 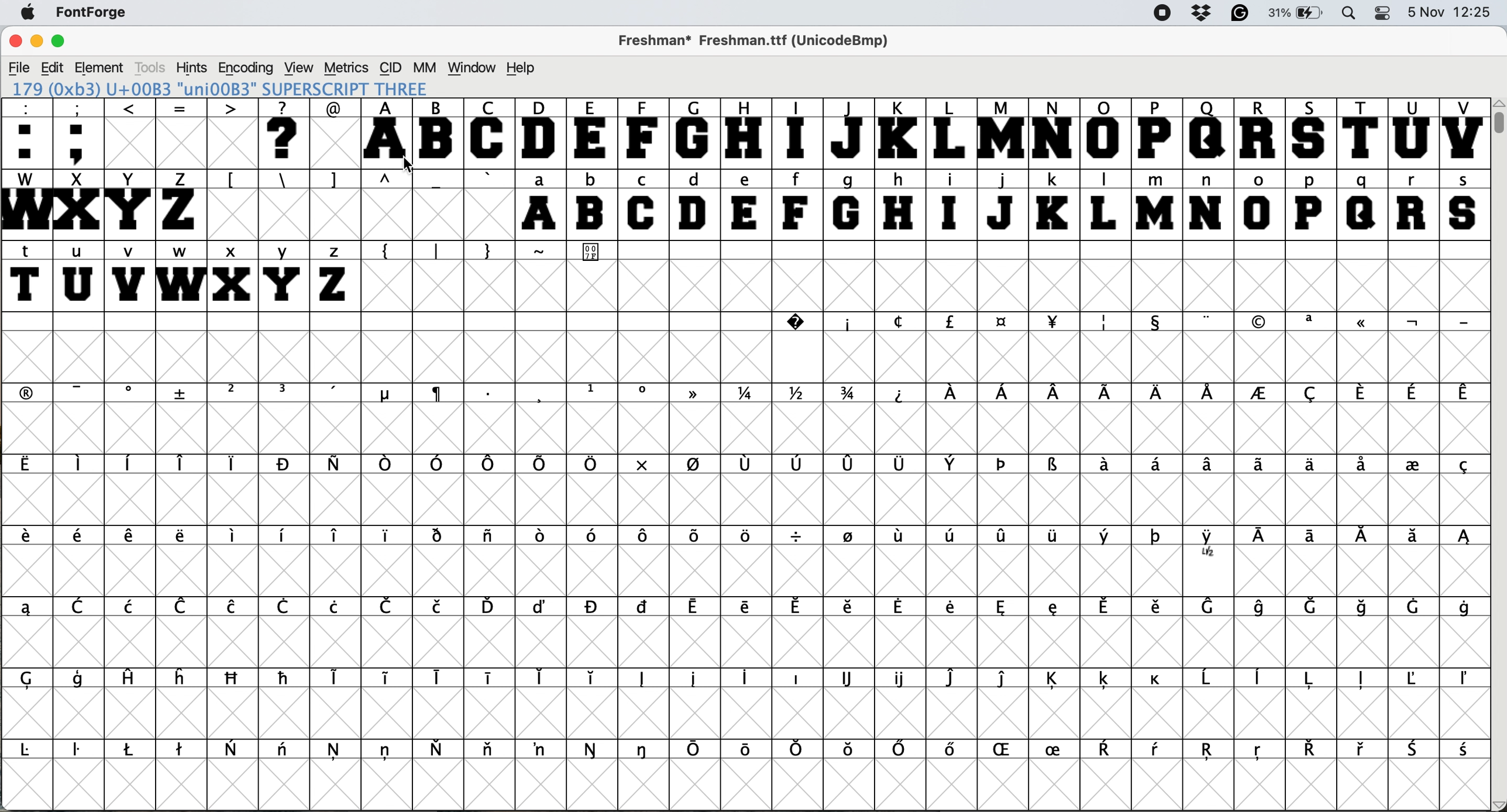 What do you see at coordinates (641, 464) in the screenshot?
I see `x` at bounding box center [641, 464].